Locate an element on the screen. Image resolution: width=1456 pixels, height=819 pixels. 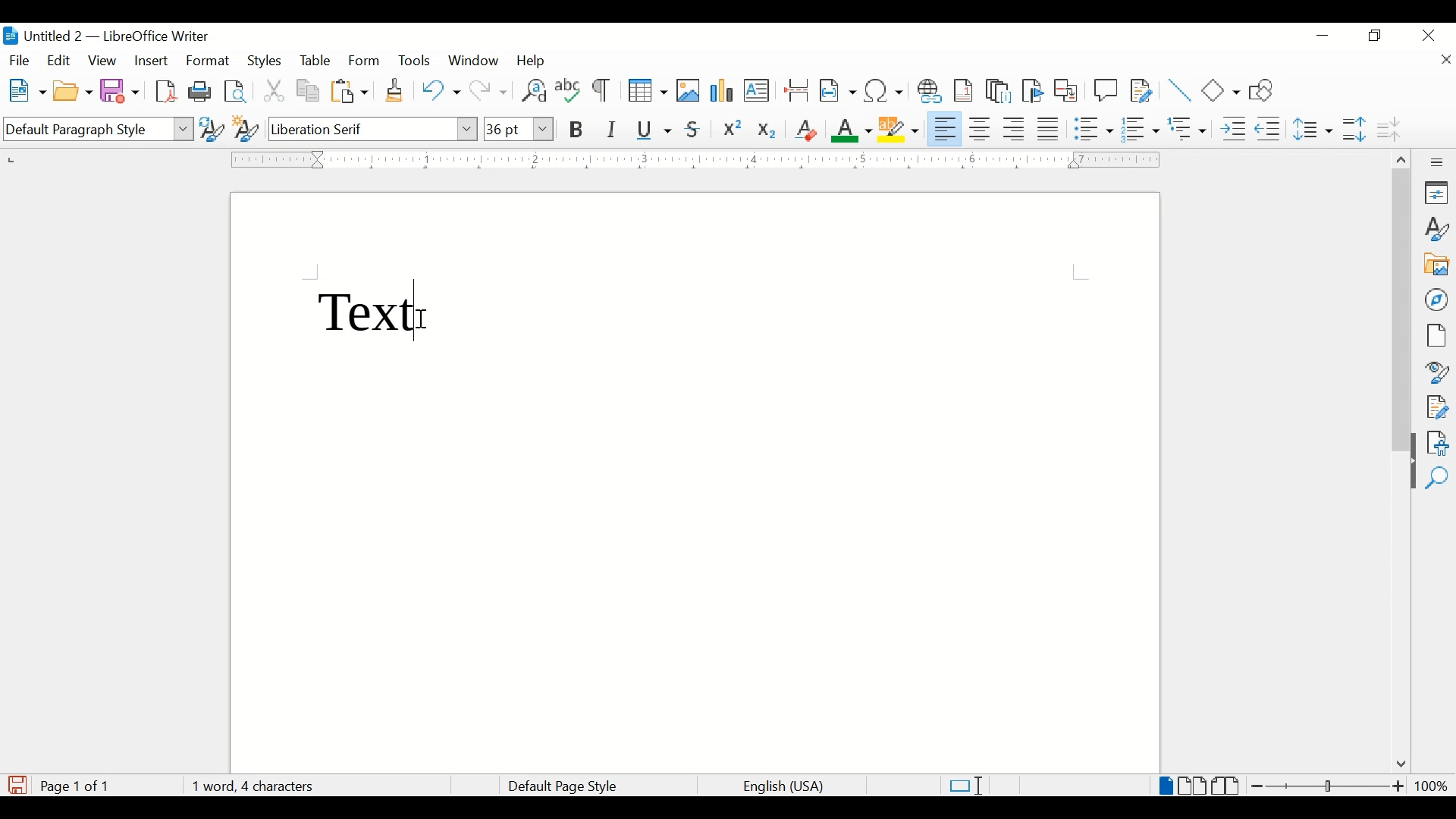
strikethrough is located at coordinates (693, 130).